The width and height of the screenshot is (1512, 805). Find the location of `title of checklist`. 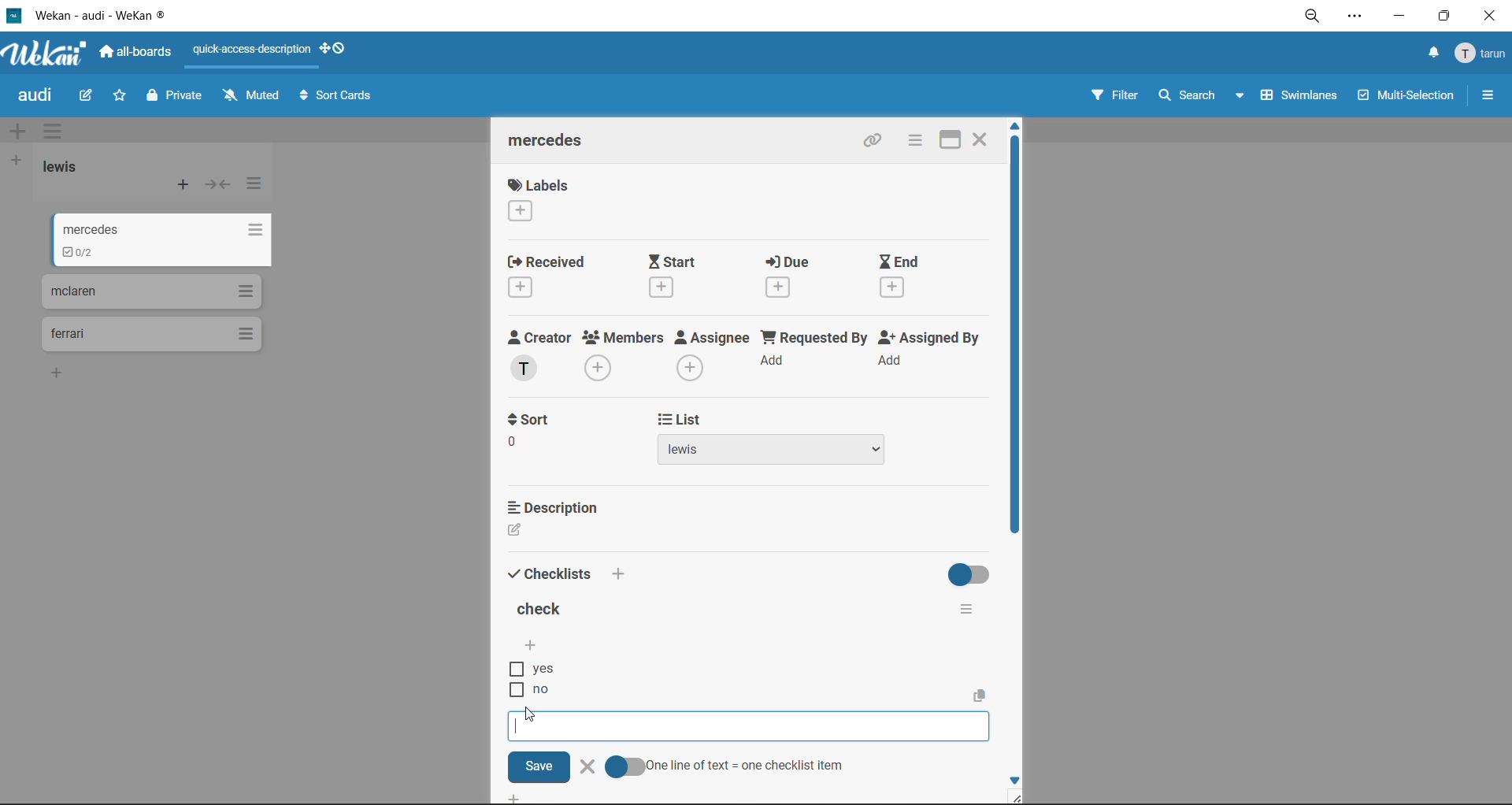

title of checklist is located at coordinates (547, 608).